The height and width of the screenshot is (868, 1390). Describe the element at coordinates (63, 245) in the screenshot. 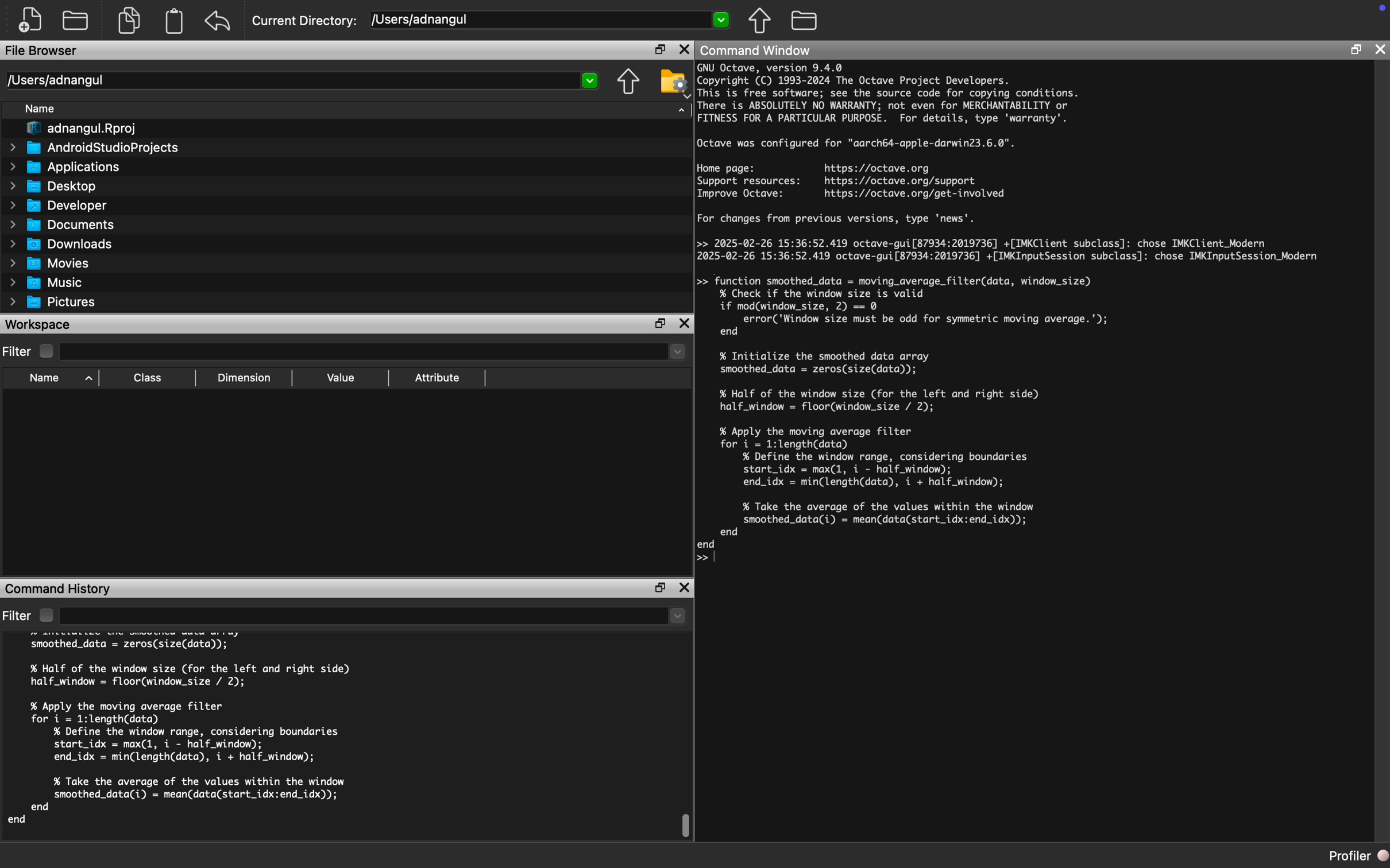

I see `Downloads` at that location.